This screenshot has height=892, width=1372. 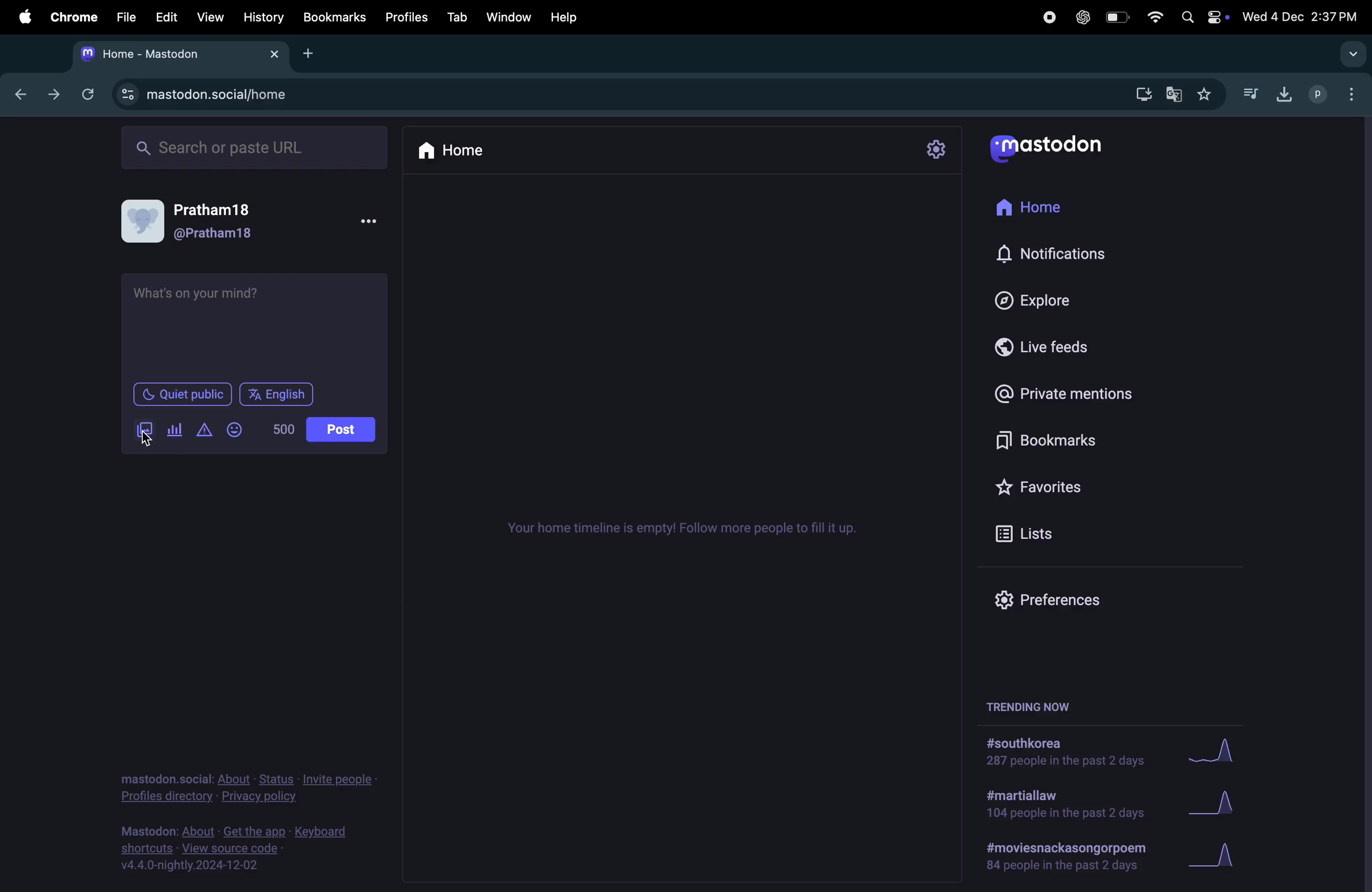 What do you see at coordinates (54, 93) in the screenshot?
I see `forward` at bounding box center [54, 93].